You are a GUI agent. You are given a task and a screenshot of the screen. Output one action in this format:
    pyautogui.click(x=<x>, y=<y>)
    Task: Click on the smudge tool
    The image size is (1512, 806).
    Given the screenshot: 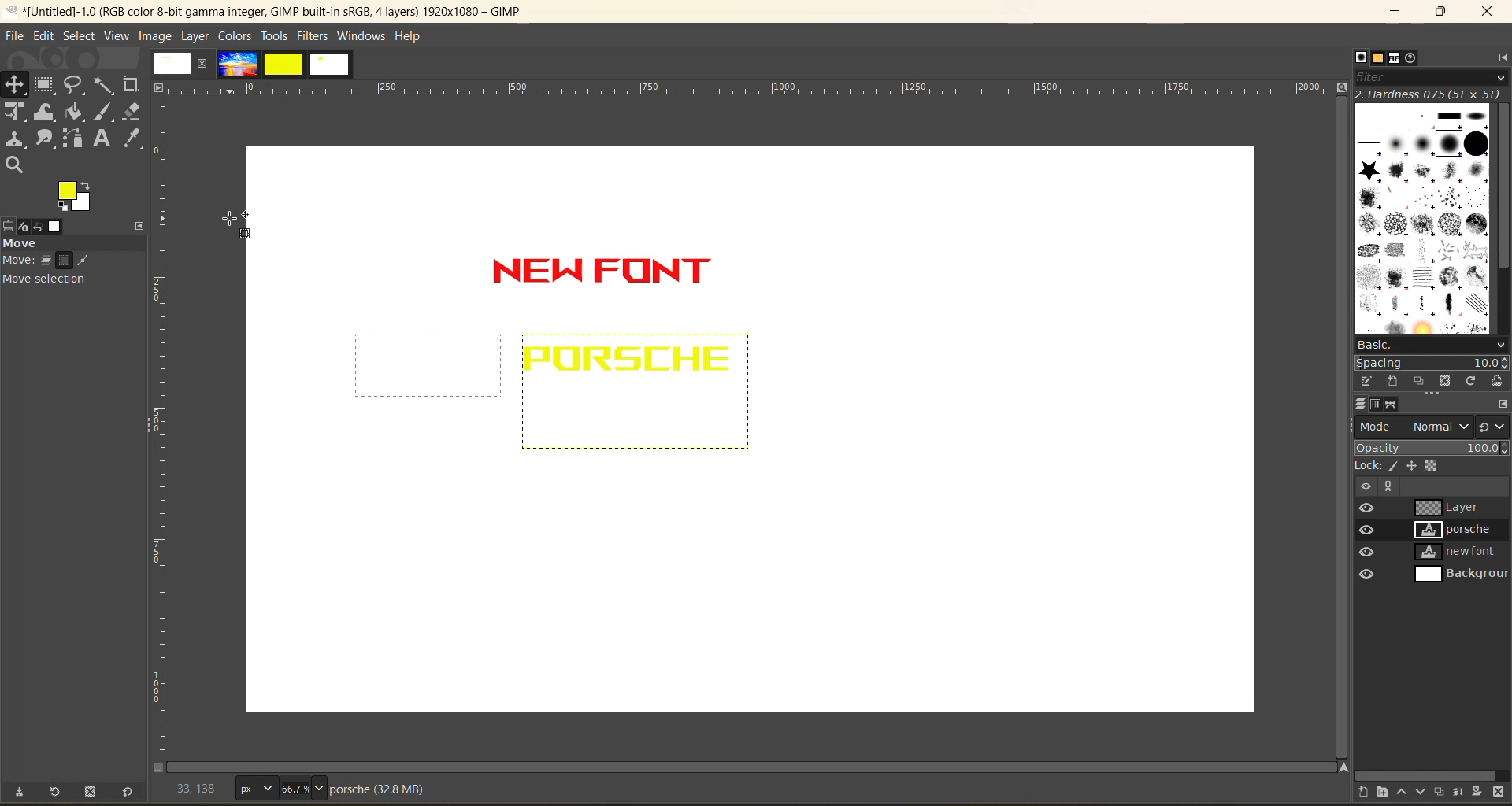 What is the action you would take?
    pyautogui.click(x=46, y=139)
    